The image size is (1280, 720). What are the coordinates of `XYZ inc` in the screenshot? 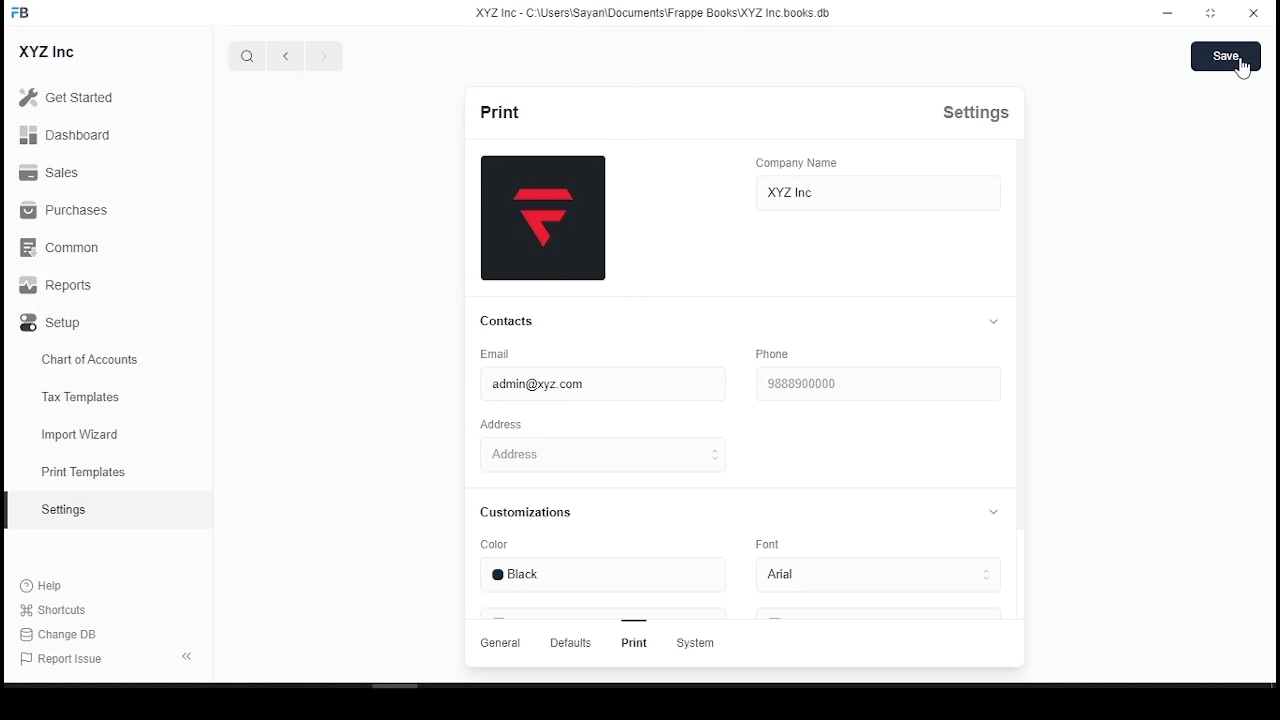 It's located at (790, 193).